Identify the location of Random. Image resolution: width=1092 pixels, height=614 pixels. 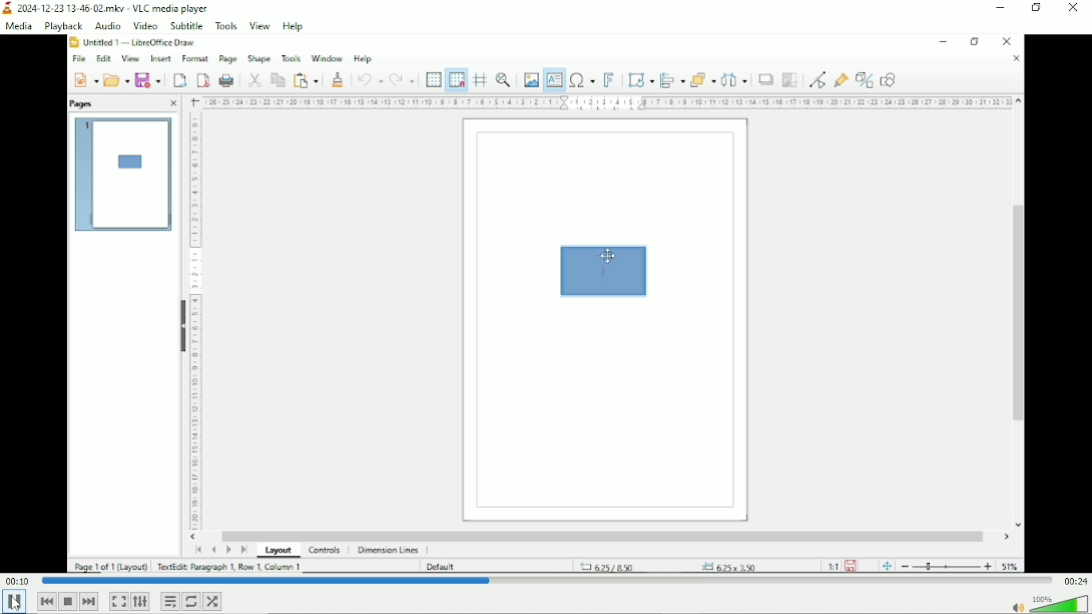
(213, 601).